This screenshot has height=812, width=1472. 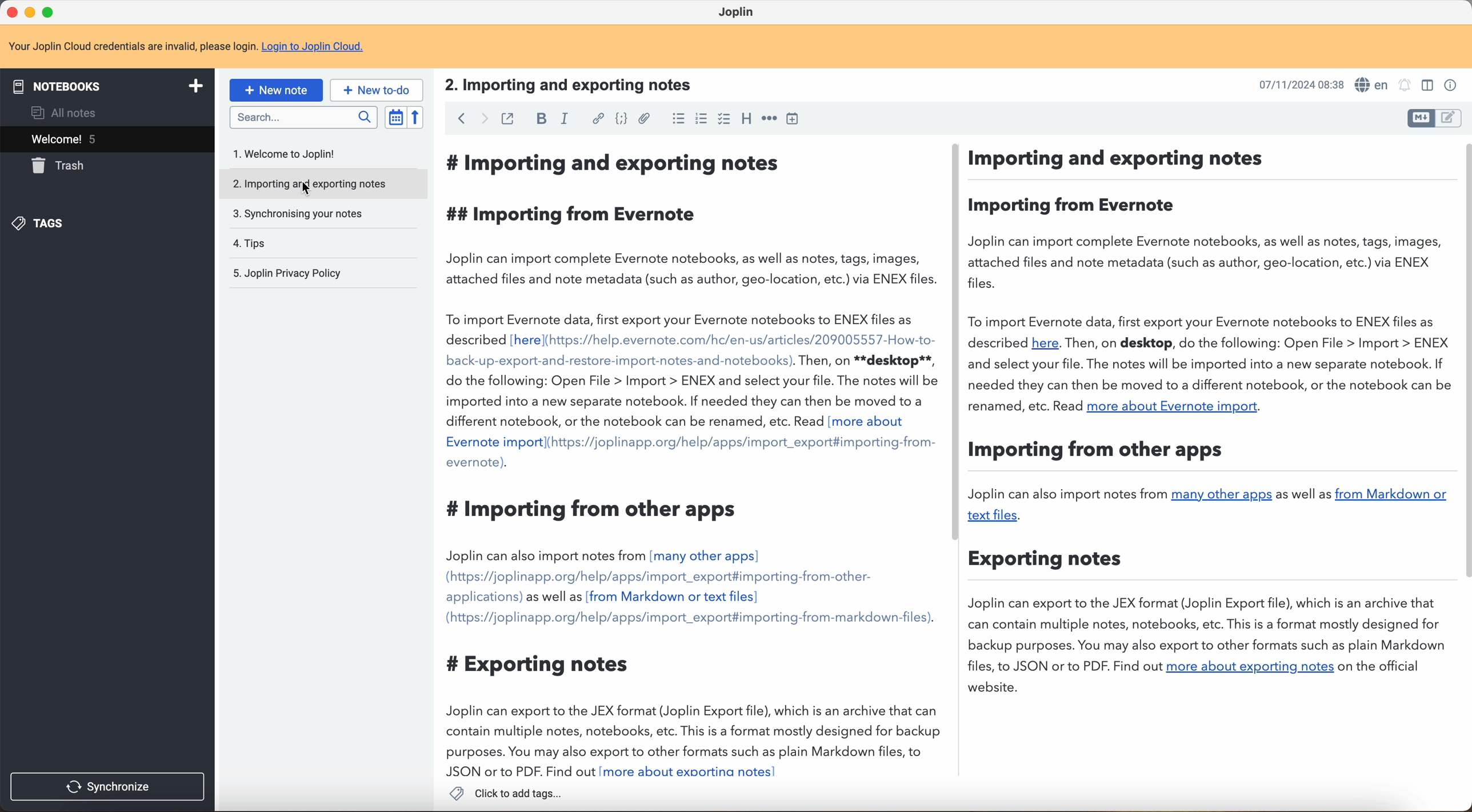 I want to click on Importing and exporting note Joplin can important complete Evernote notebooks, as well as notes, tags, images, attached files and note metadata (such as as author, geo-location, etc) vía ENEX files. To import Evernote data, first export your Evernote notebooks to ENEX files aside described (here)…., so click(x=1025, y=423).